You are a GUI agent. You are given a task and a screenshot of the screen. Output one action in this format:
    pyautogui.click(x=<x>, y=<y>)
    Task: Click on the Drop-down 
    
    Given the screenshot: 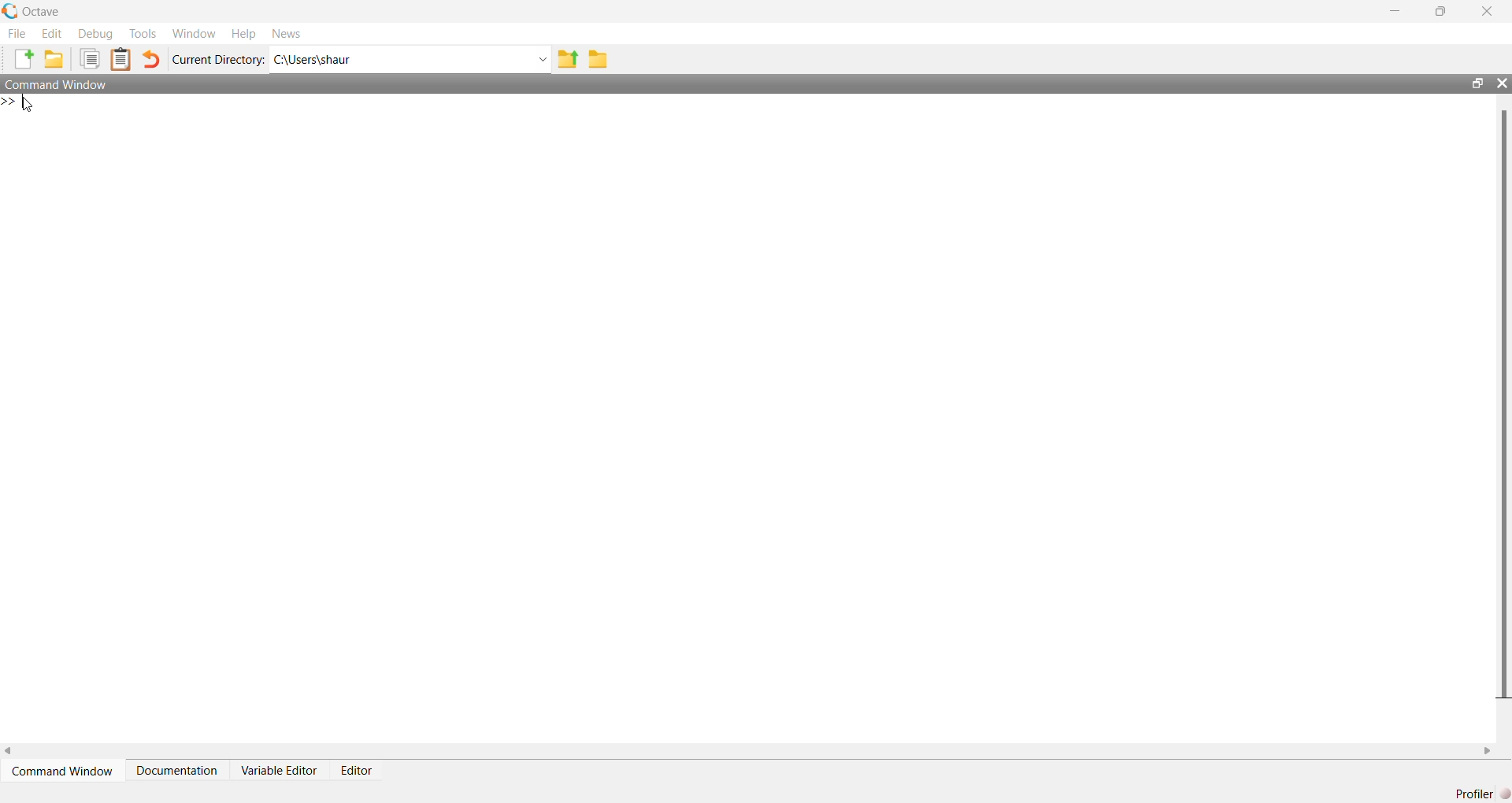 What is the action you would take?
    pyautogui.click(x=543, y=59)
    